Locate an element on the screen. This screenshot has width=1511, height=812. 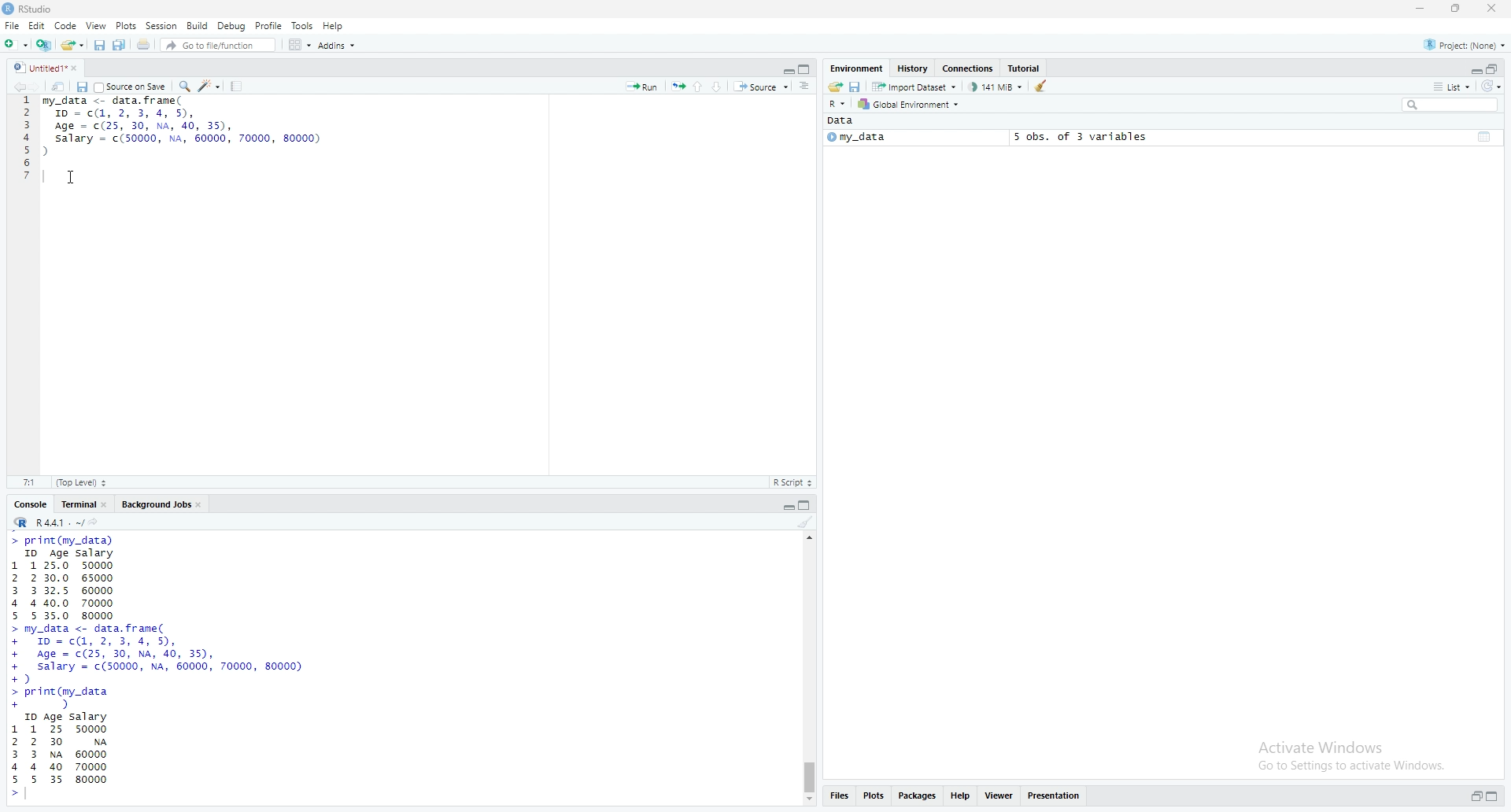
view the current working directory is located at coordinates (97, 522).